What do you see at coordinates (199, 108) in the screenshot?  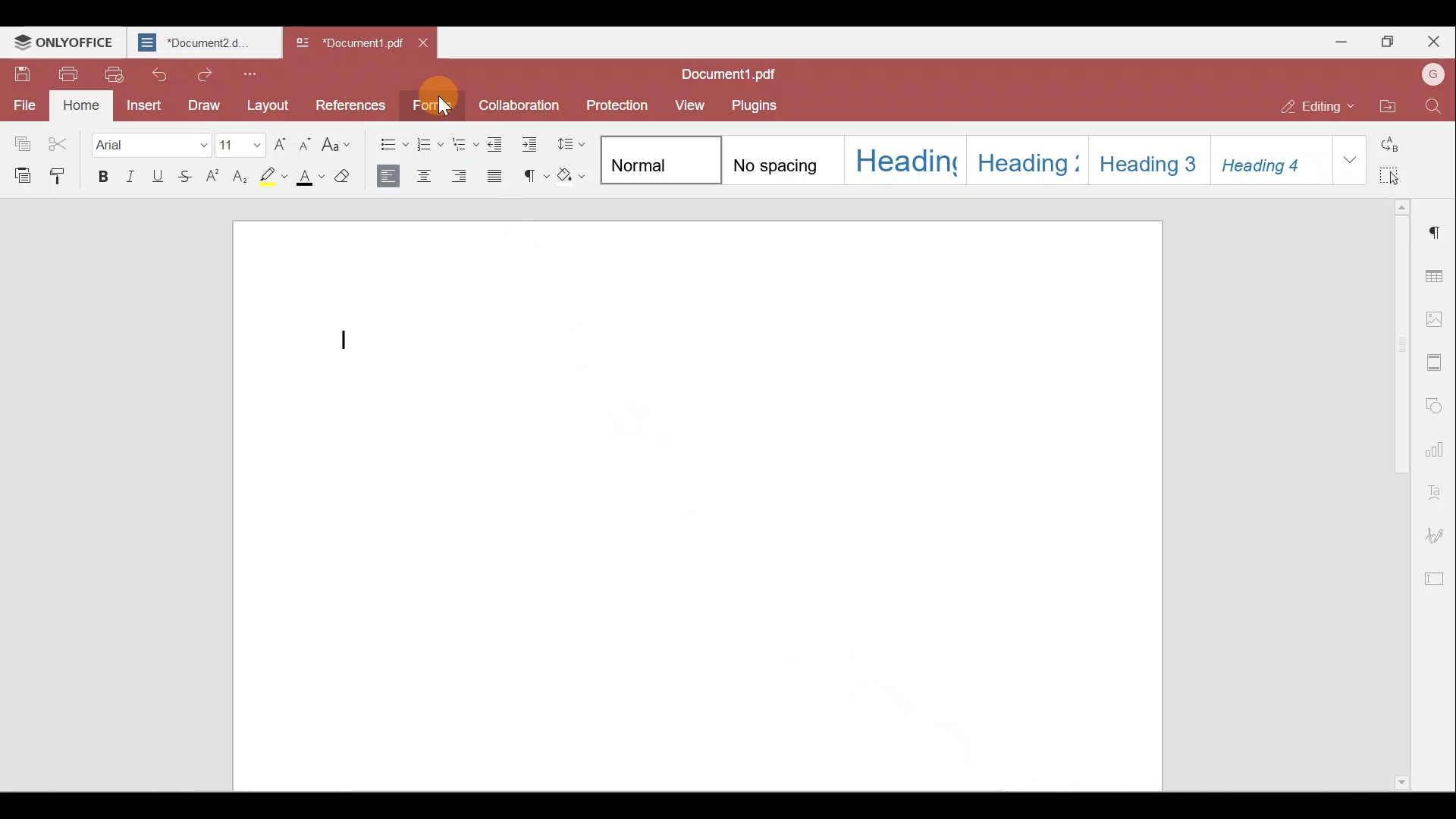 I see `Draw` at bounding box center [199, 108].